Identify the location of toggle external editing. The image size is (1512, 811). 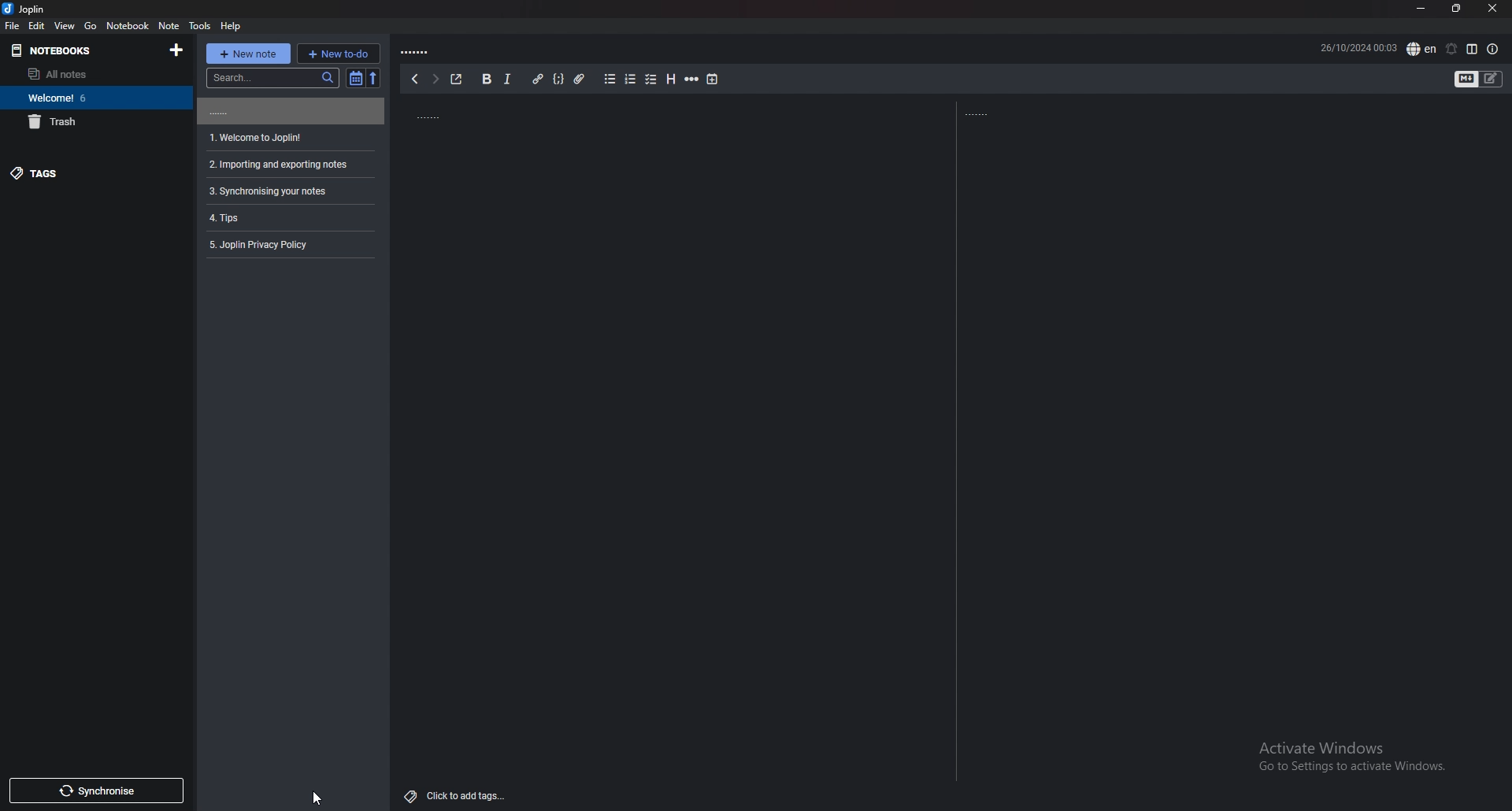
(457, 80).